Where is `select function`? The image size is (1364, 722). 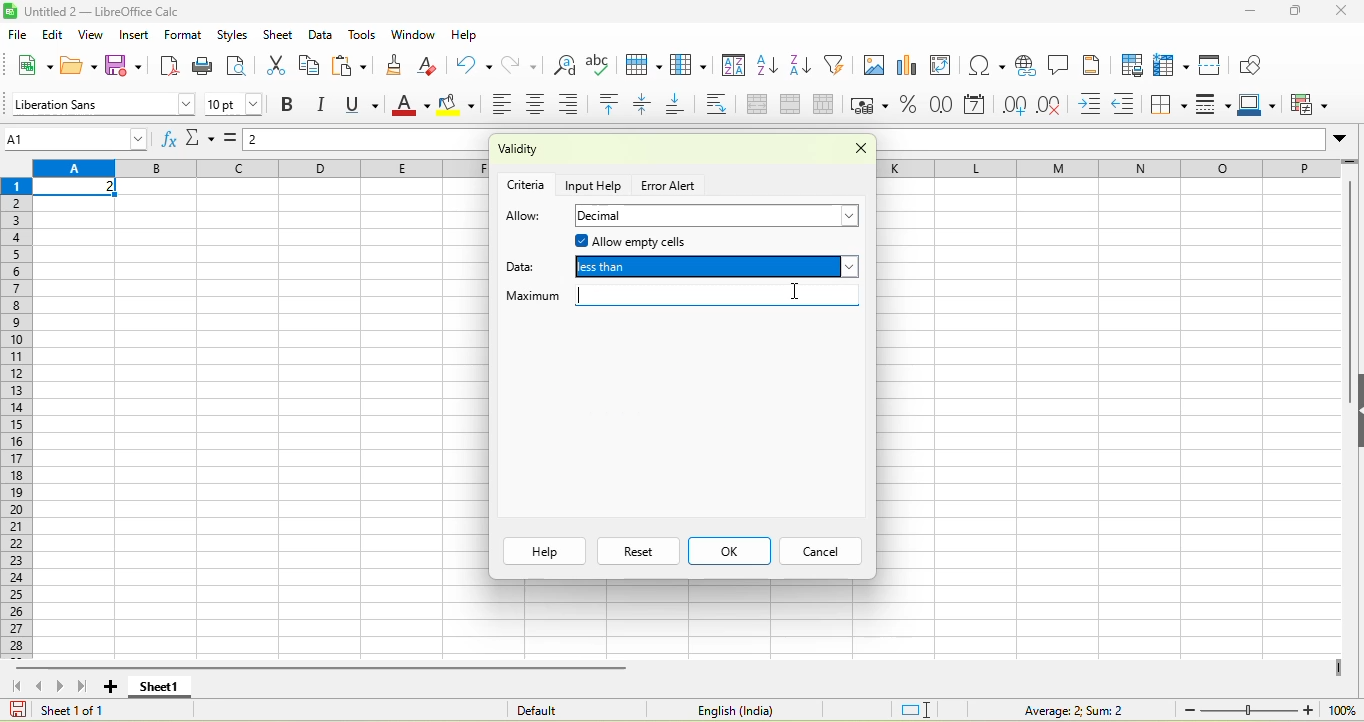
select function is located at coordinates (202, 140).